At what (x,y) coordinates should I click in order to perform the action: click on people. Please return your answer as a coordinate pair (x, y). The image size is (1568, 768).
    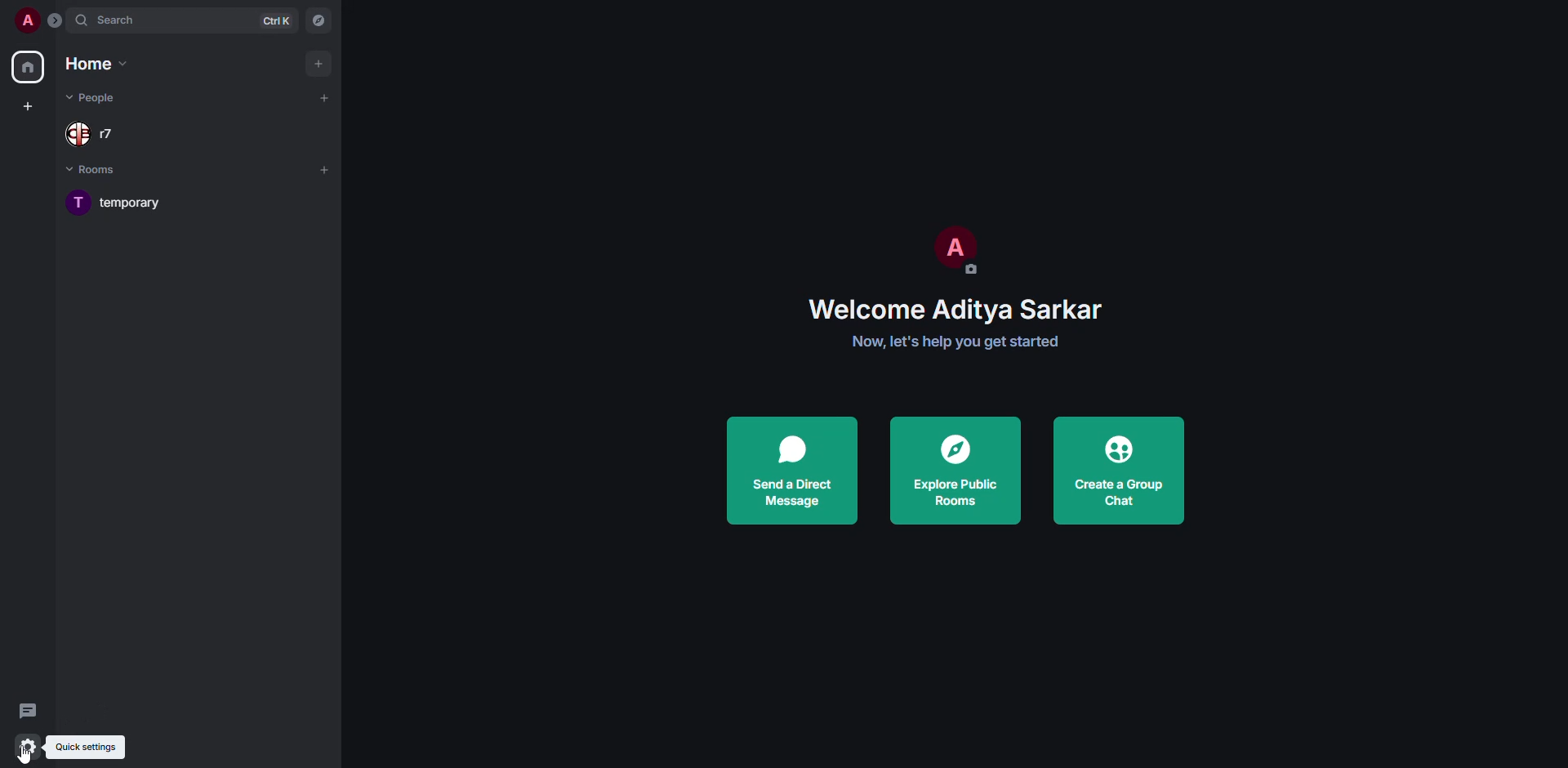
    Looking at the image, I should click on (98, 97).